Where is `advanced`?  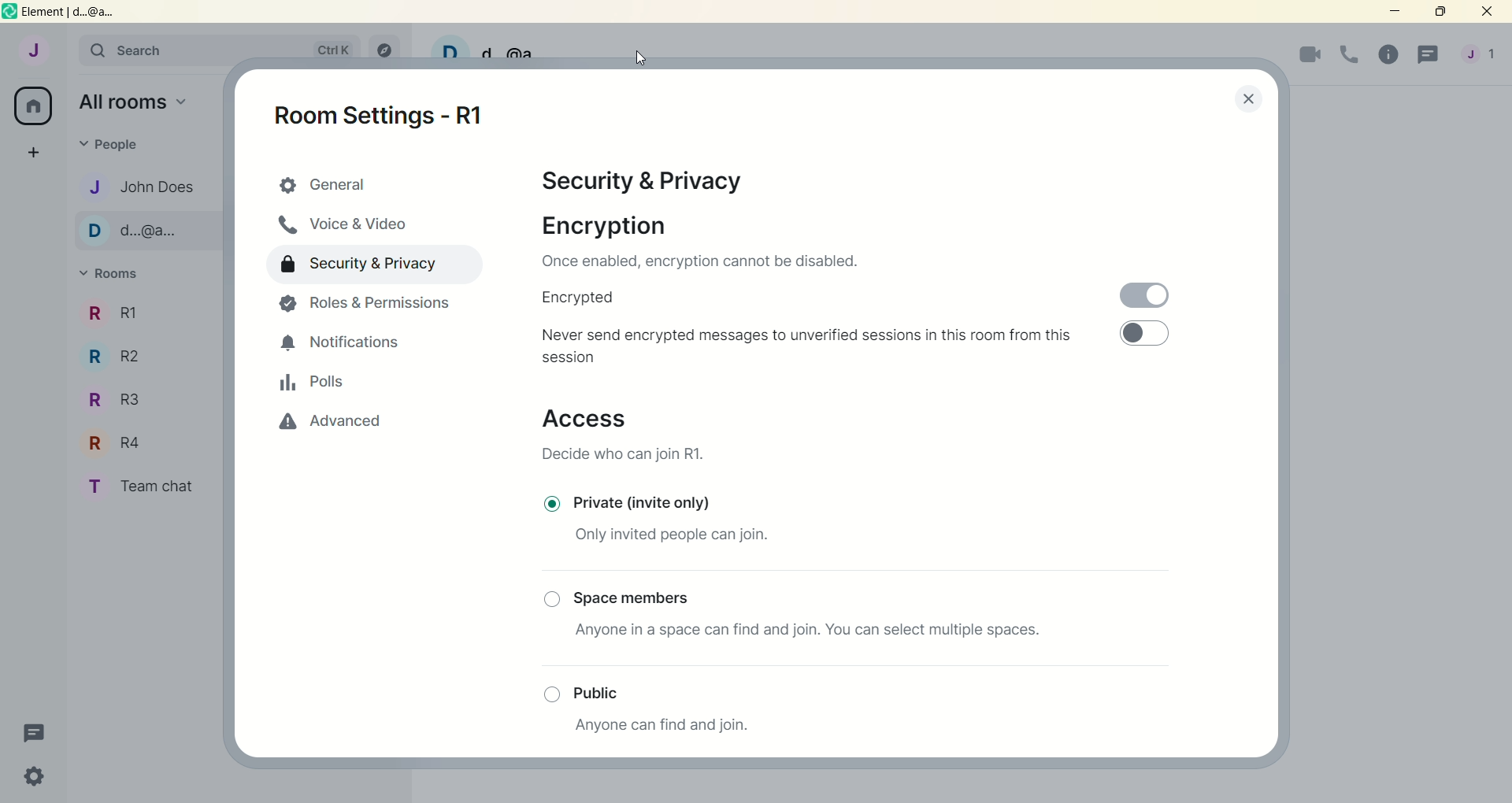 advanced is located at coordinates (332, 425).